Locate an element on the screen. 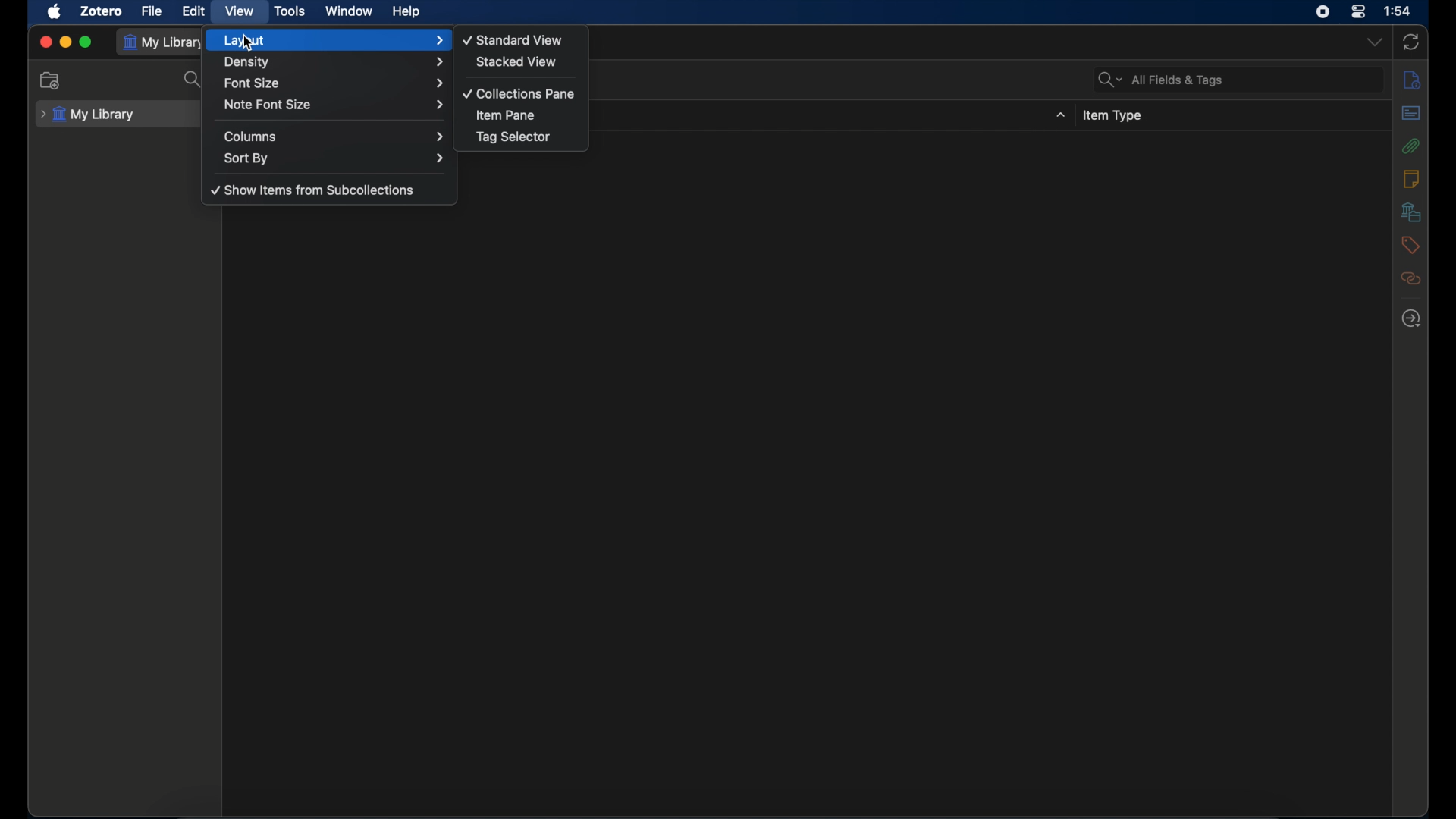 This screenshot has height=819, width=1456. item type is located at coordinates (1115, 115).